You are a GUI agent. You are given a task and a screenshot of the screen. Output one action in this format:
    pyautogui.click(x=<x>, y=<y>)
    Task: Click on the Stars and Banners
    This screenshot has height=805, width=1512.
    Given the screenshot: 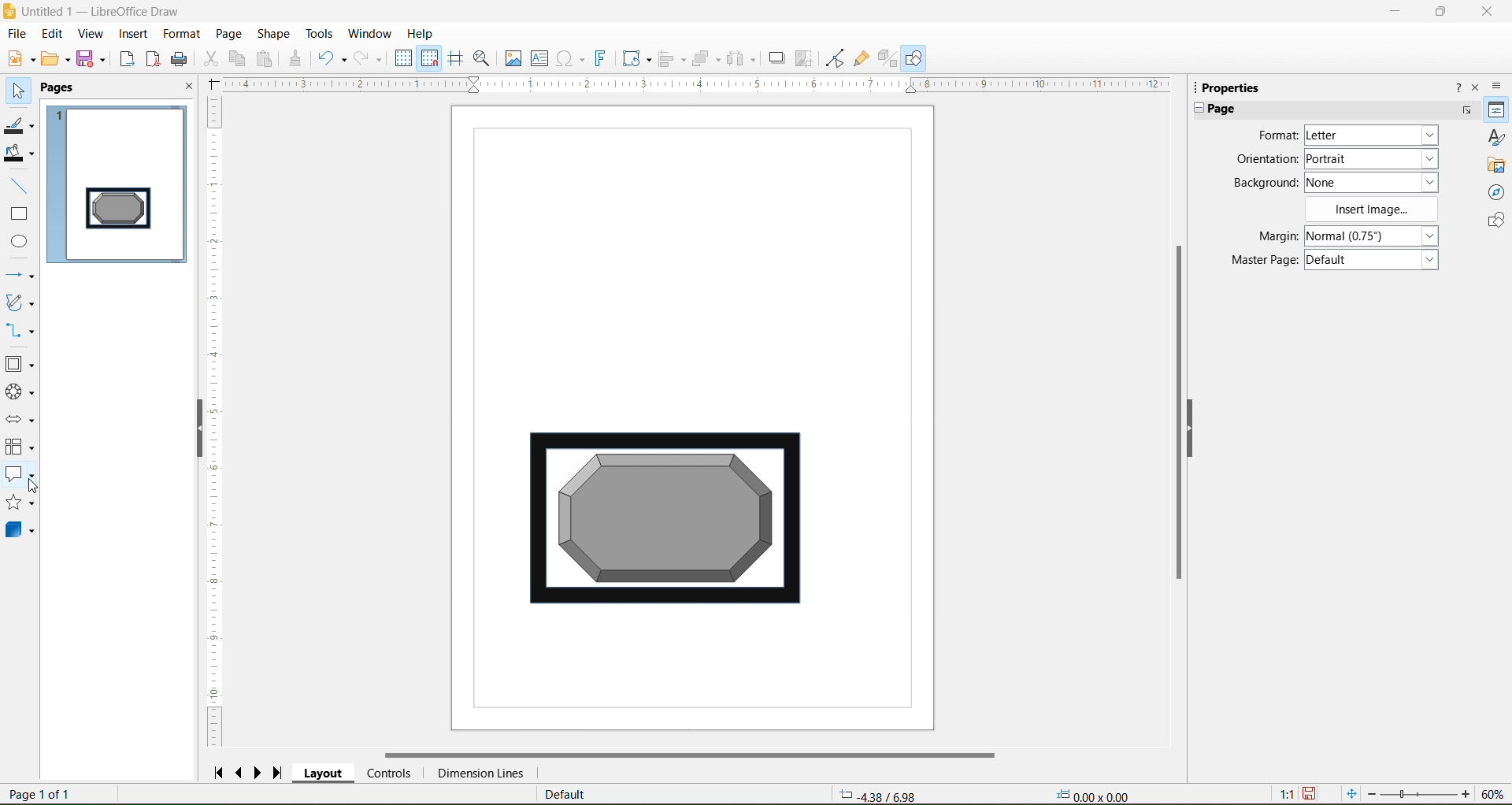 What is the action you would take?
    pyautogui.click(x=20, y=504)
    